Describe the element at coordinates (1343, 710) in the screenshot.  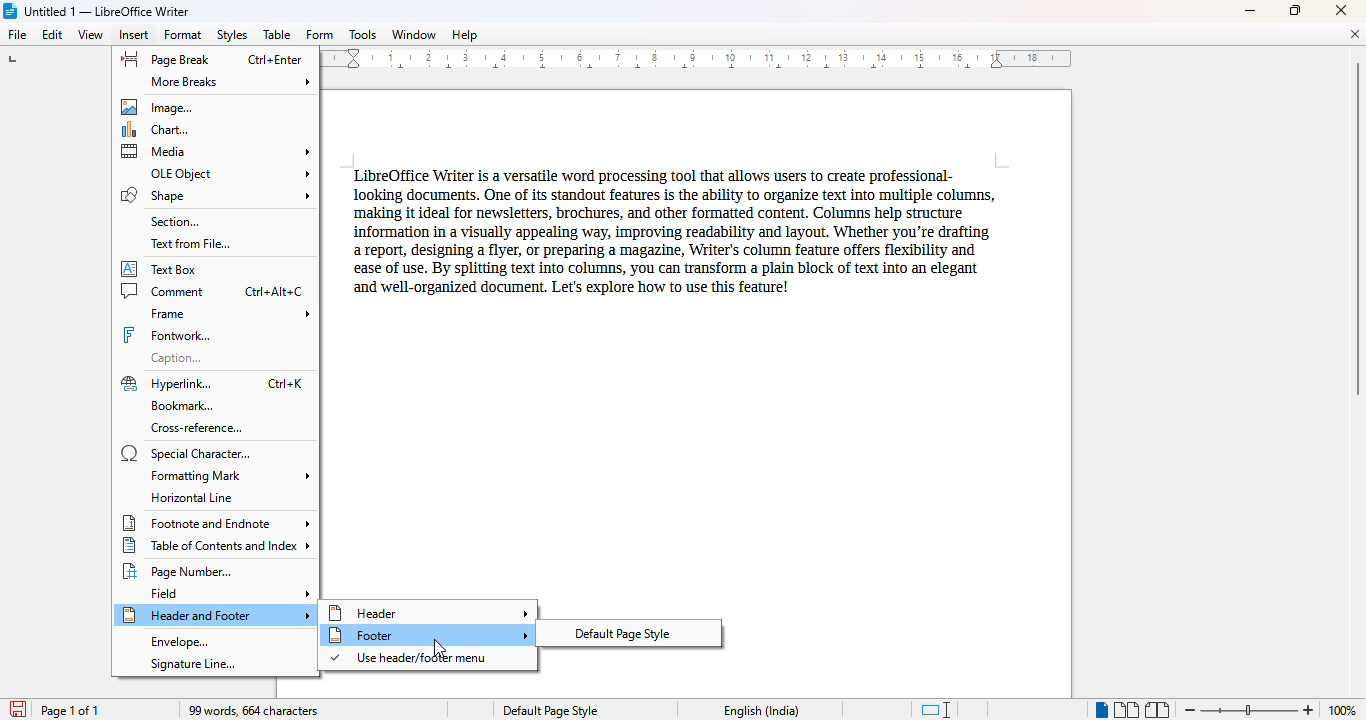
I see `100% (zoom level)` at that location.